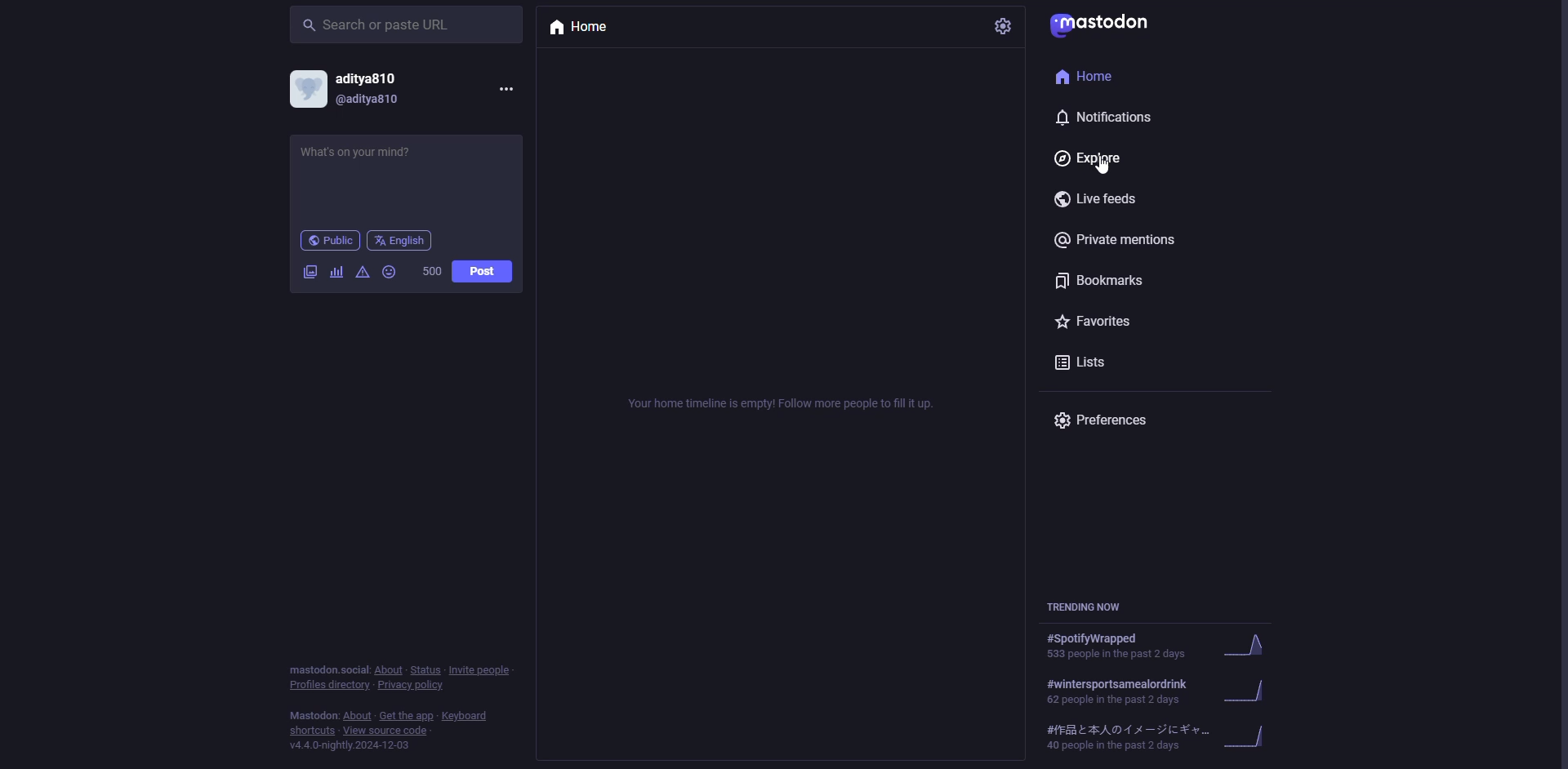  I want to click on settings, so click(1004, 26).